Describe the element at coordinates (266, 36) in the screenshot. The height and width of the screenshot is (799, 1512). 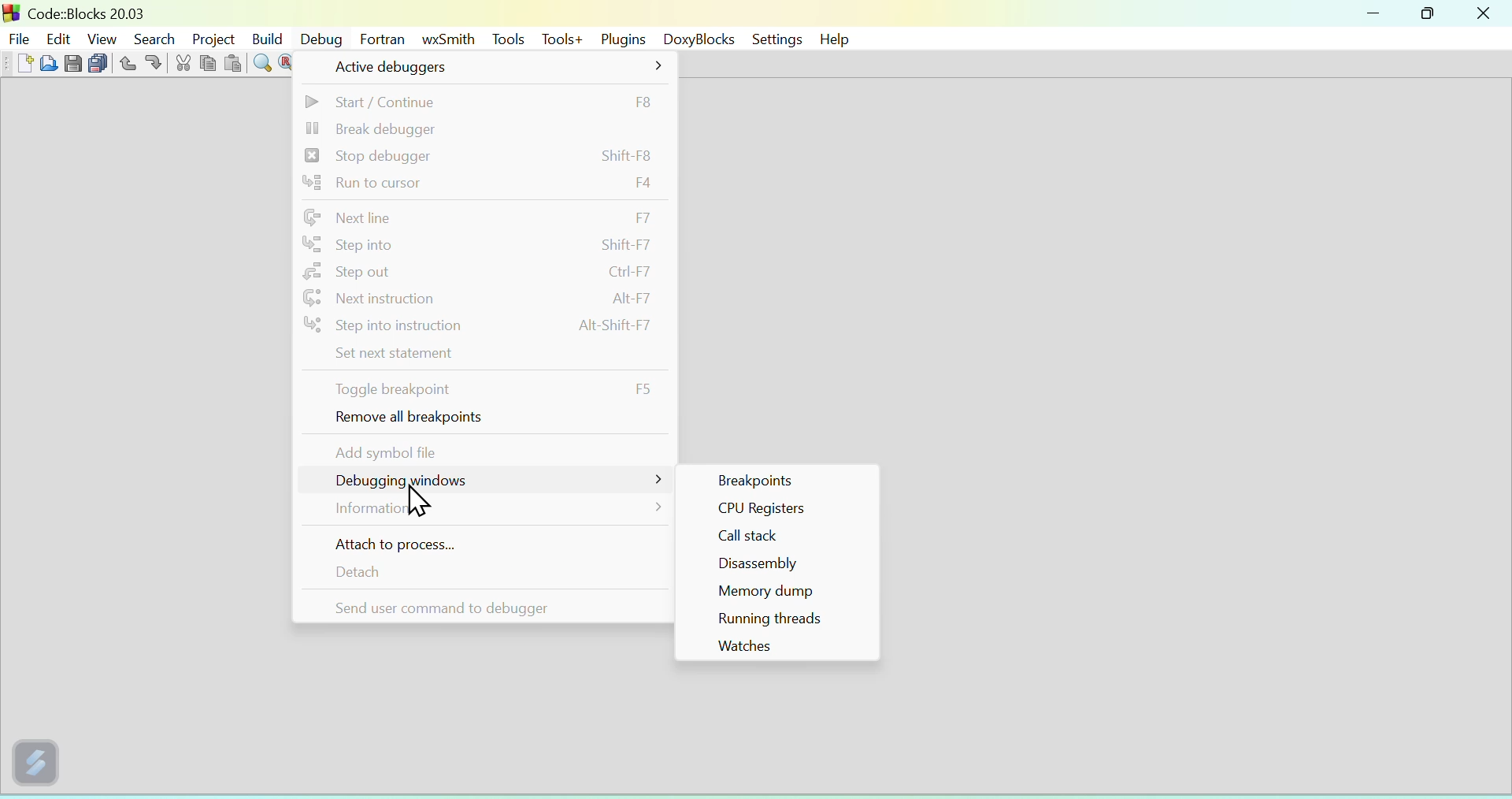
I see `Build` at that location.